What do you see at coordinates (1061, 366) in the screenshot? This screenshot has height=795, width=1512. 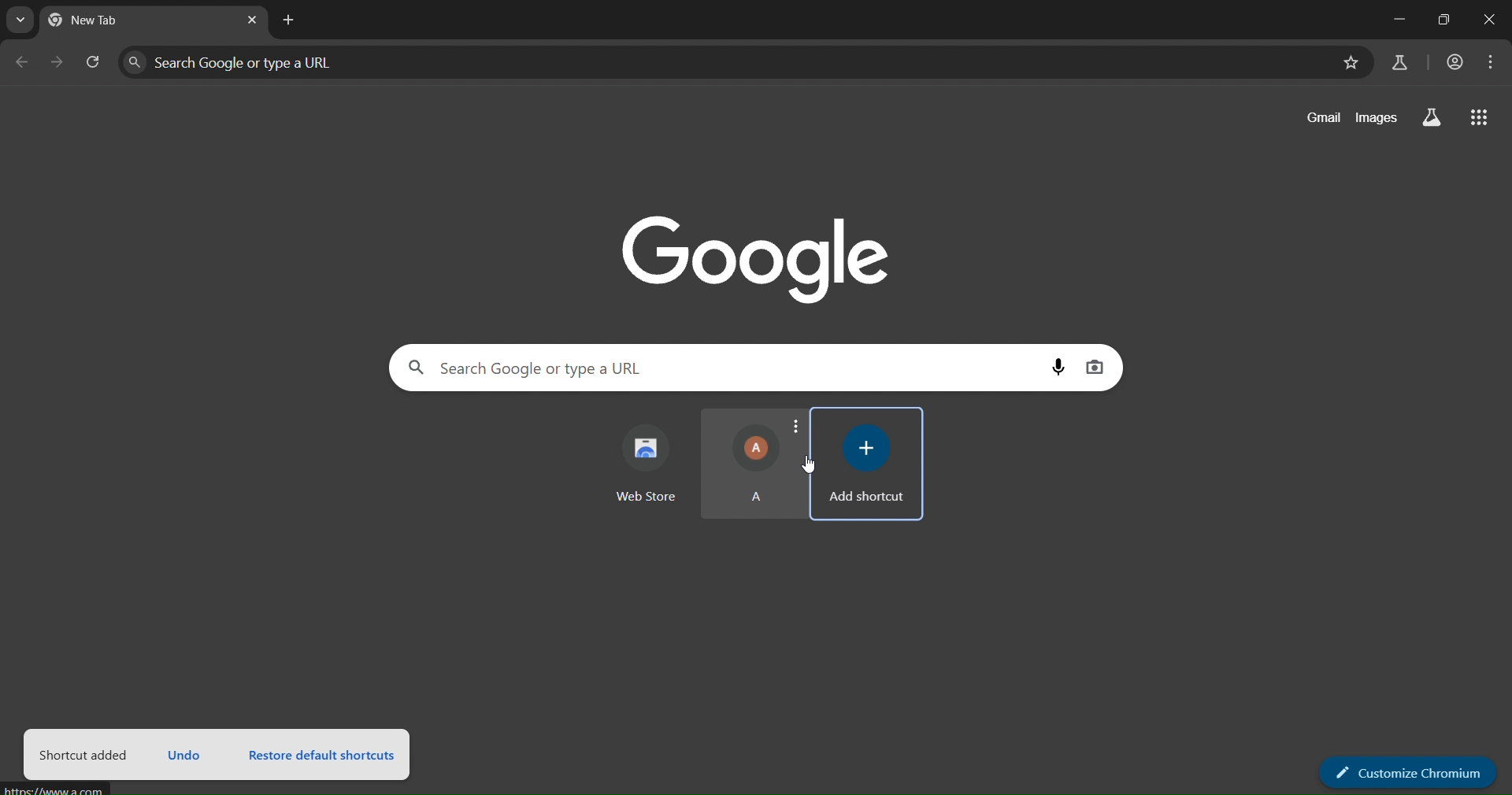 I see `voice search` at bounding box center [1061, 366].